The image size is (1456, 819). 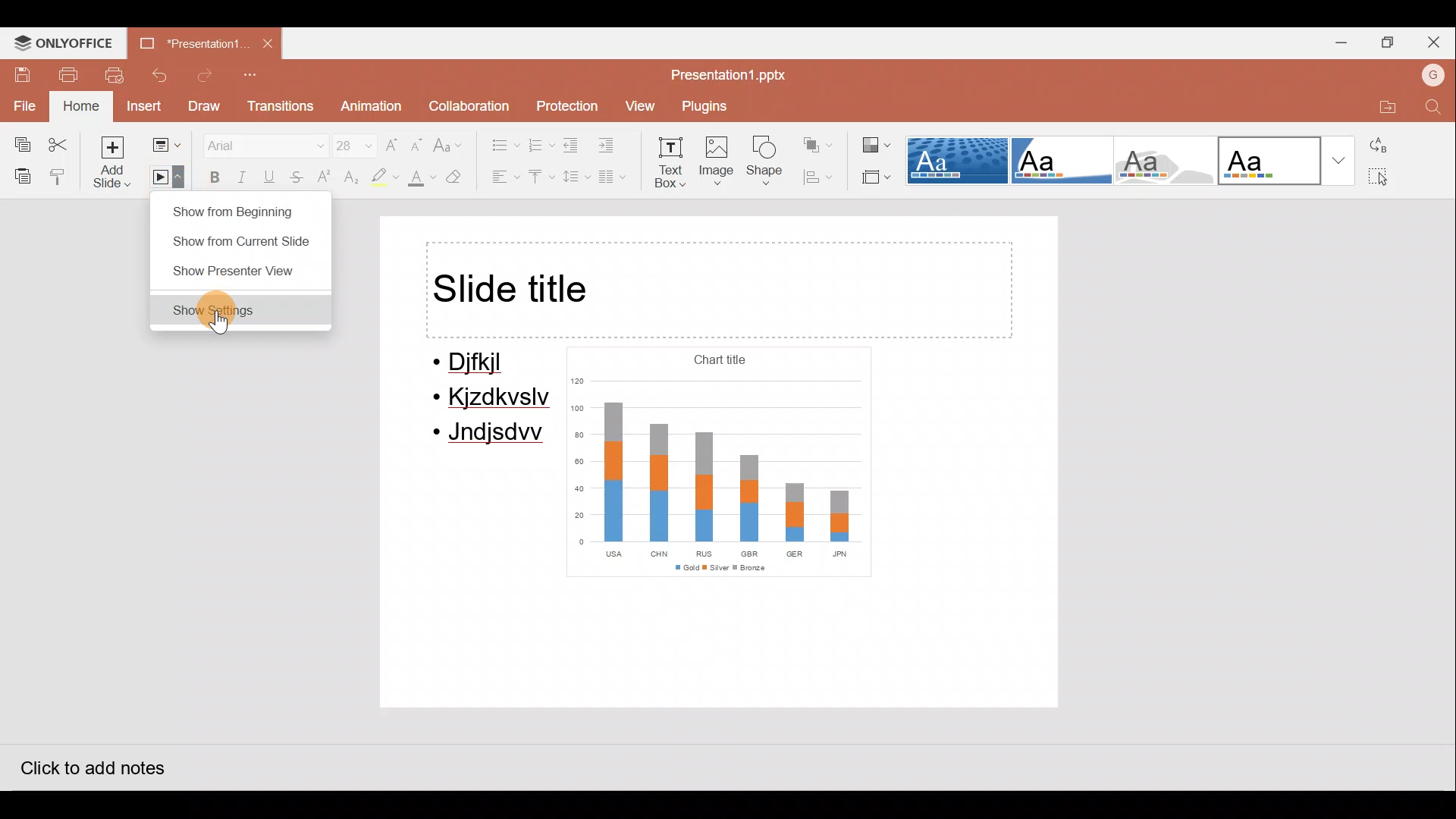 What do you see at coordinates (567, 103) in the screenshot?
I see `Protection` at bounding box center [567, 103].